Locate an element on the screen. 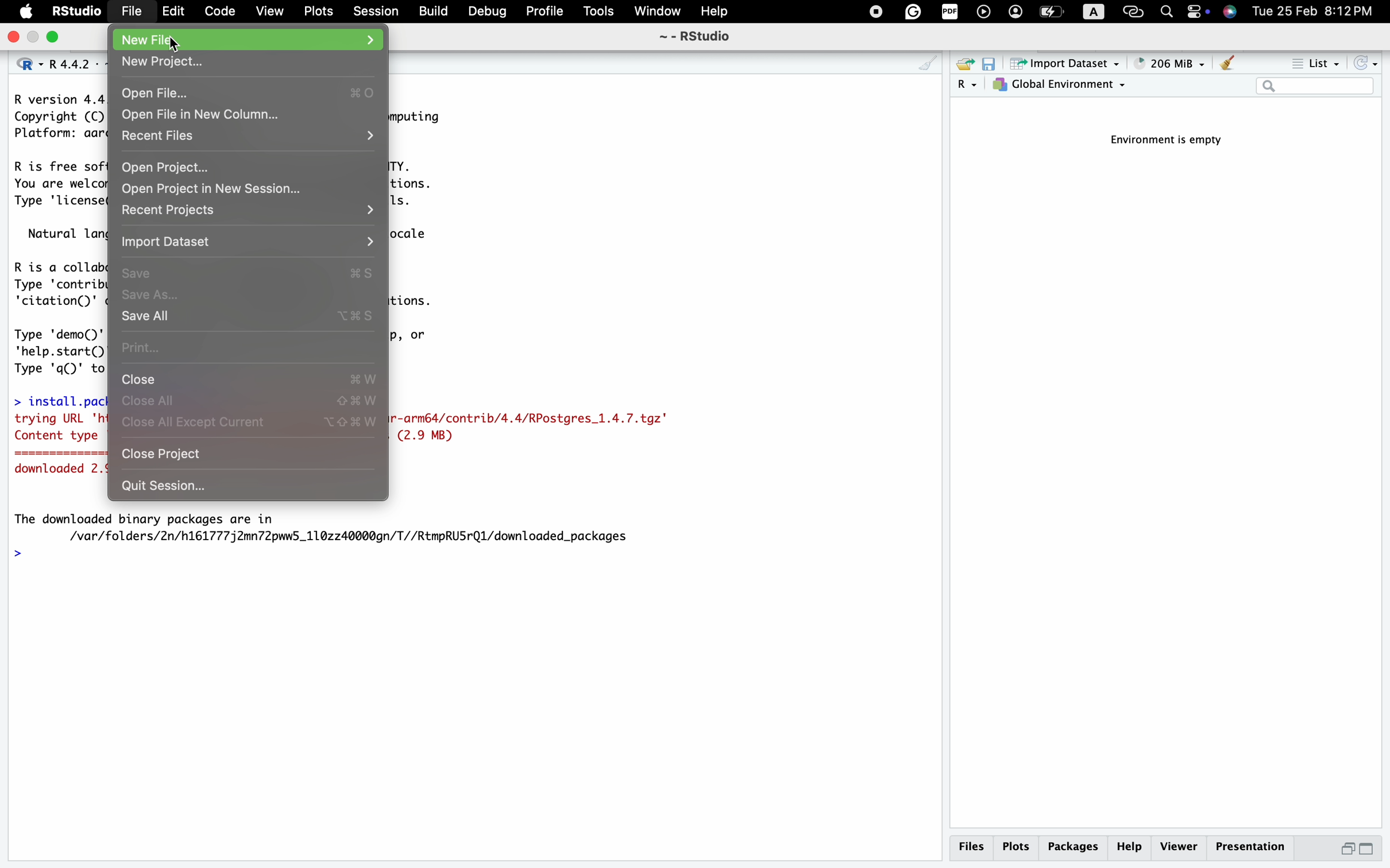 The width and height of the screenshot is (1390, 868). close is located at coordinates (250, 378).